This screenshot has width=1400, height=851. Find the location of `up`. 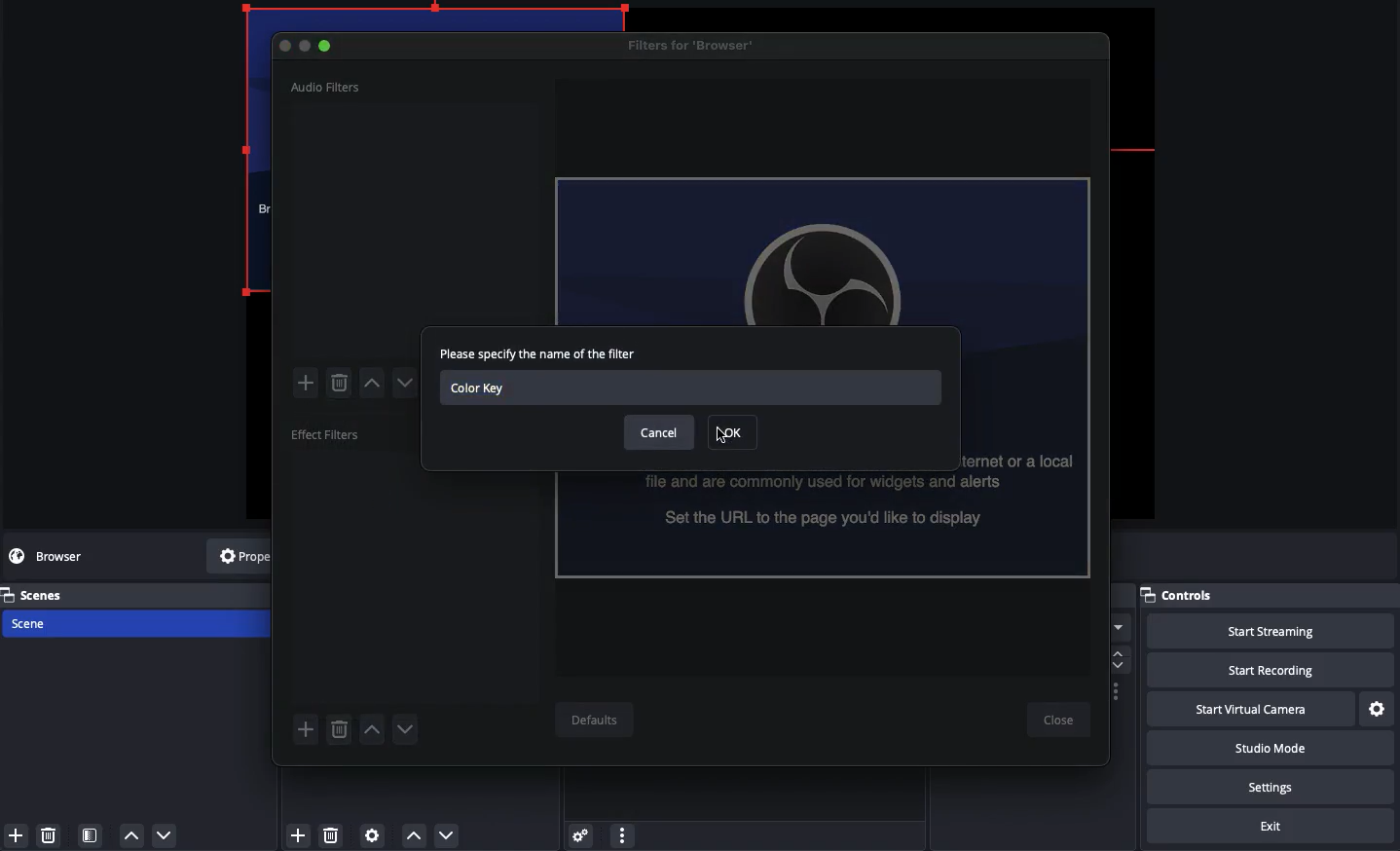

up is located at coordinates (374, 728).